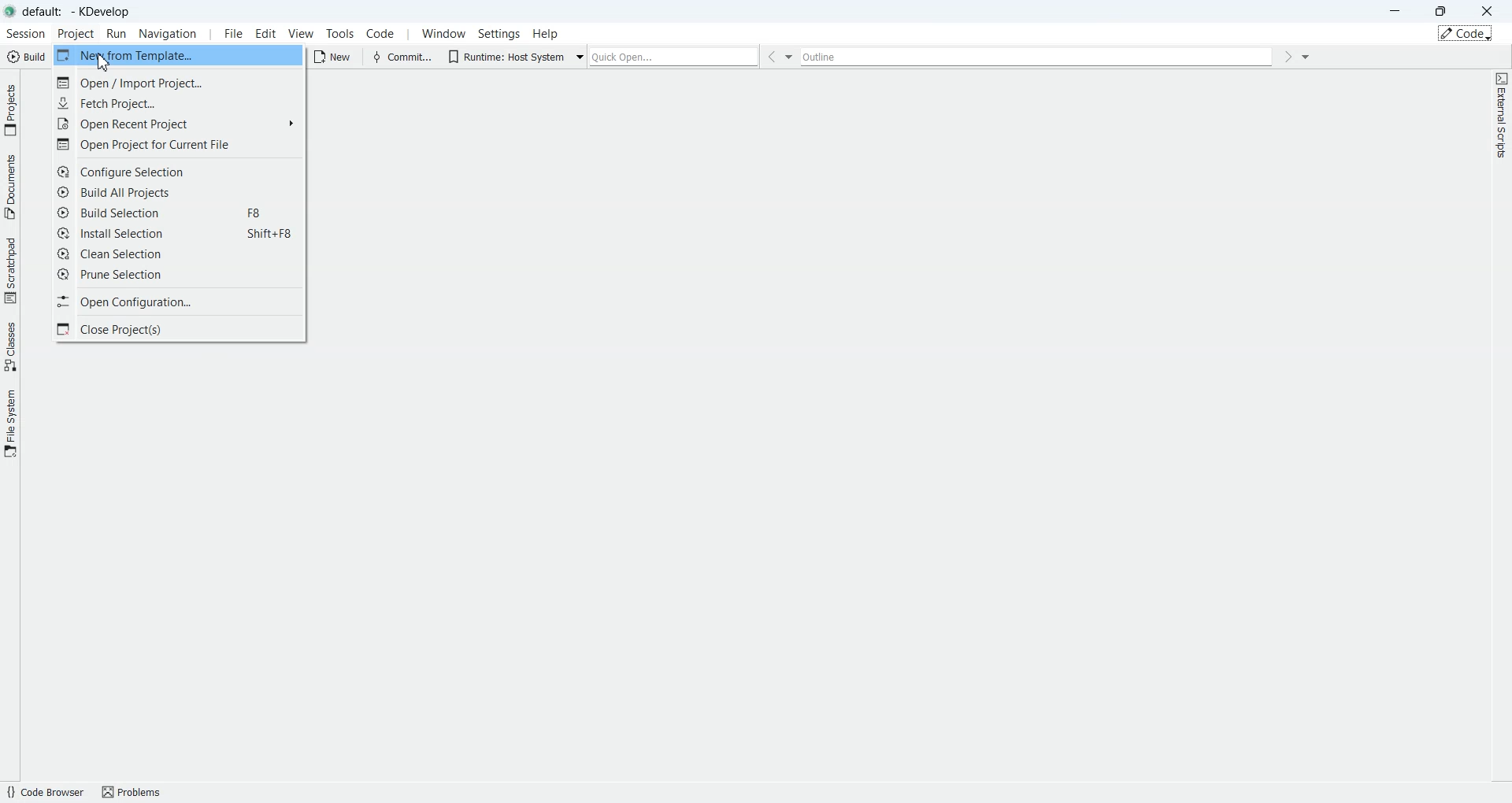 Image resolution: width=1512 pixels, height=803 pixels. Describe the element at coordinates (499, 33) in the screenshot. I see `Settings` at that location.